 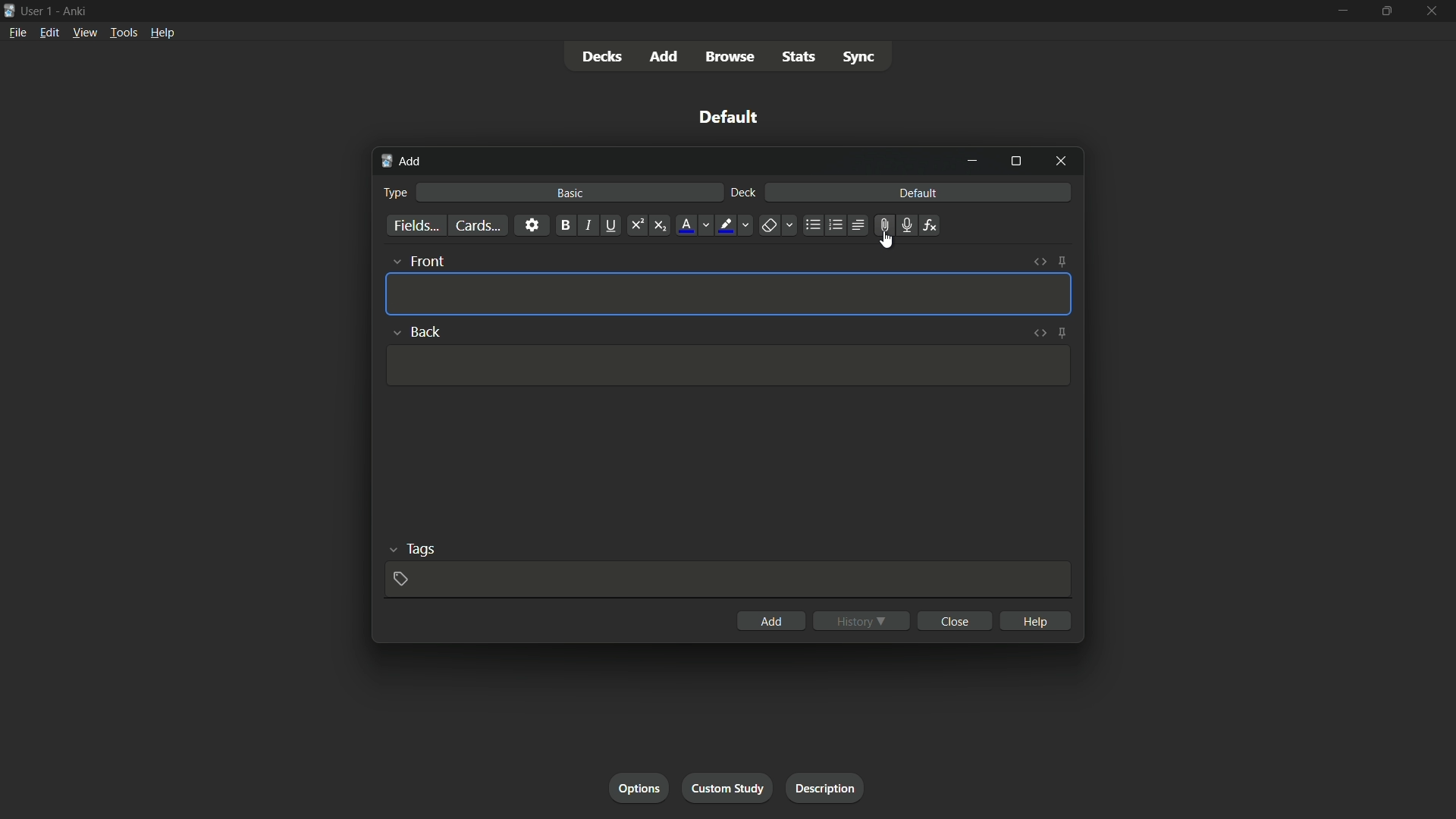 I want to click on attachment, so click(x=884, y=224).